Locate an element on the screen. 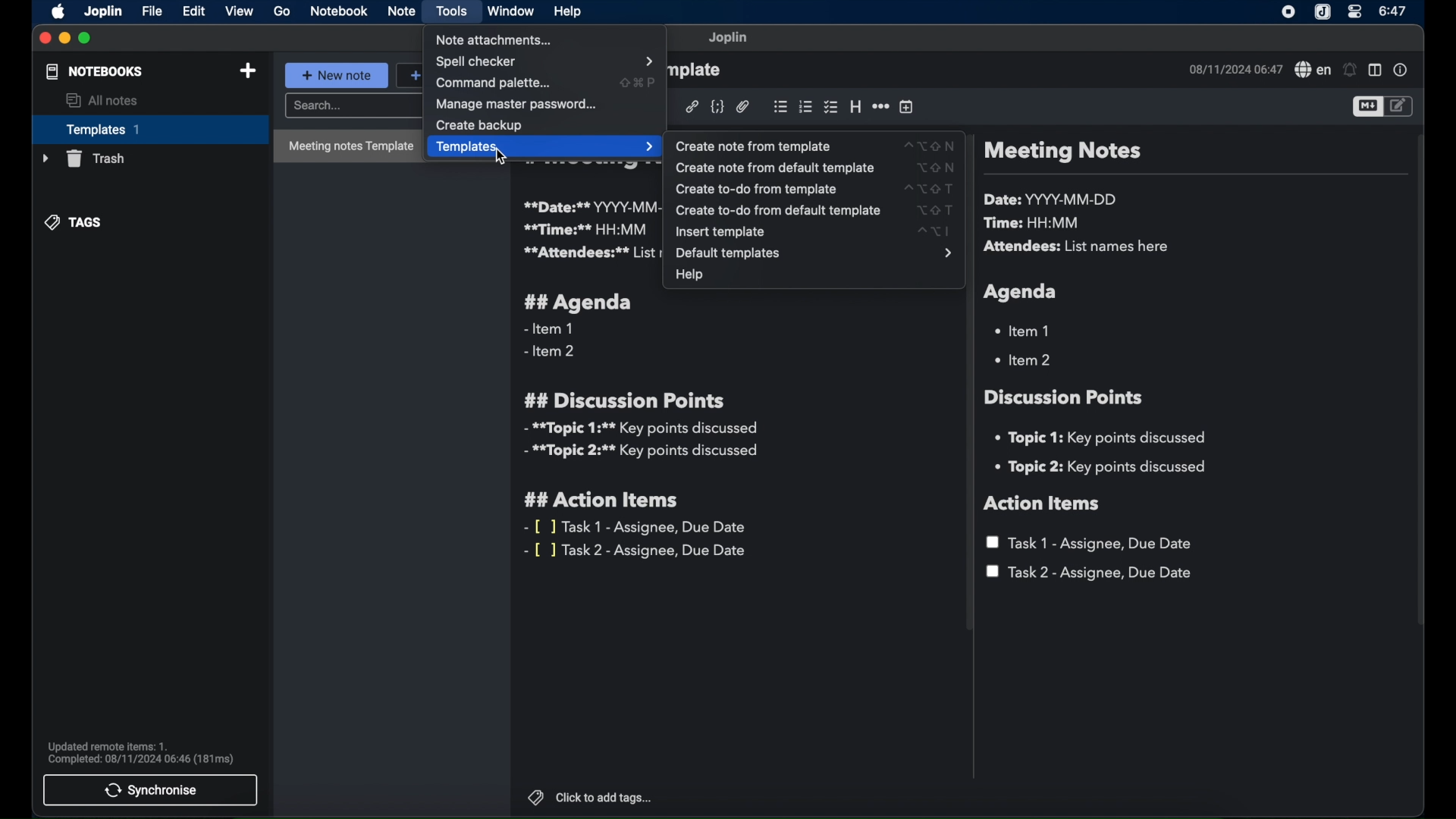 The image size is (1456, 819). Joplin is located at coordinates (102, 11).